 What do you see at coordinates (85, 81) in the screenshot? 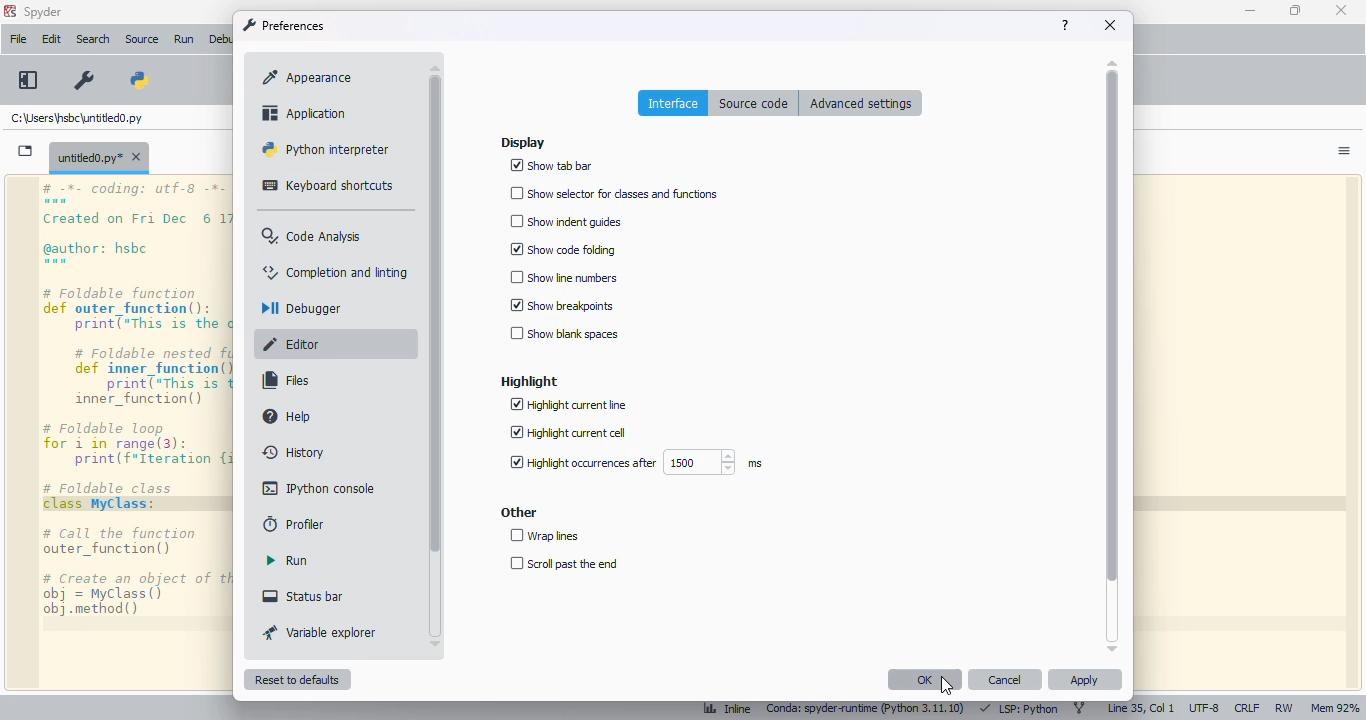
I see `preferences` at bounding box center [85, 81].